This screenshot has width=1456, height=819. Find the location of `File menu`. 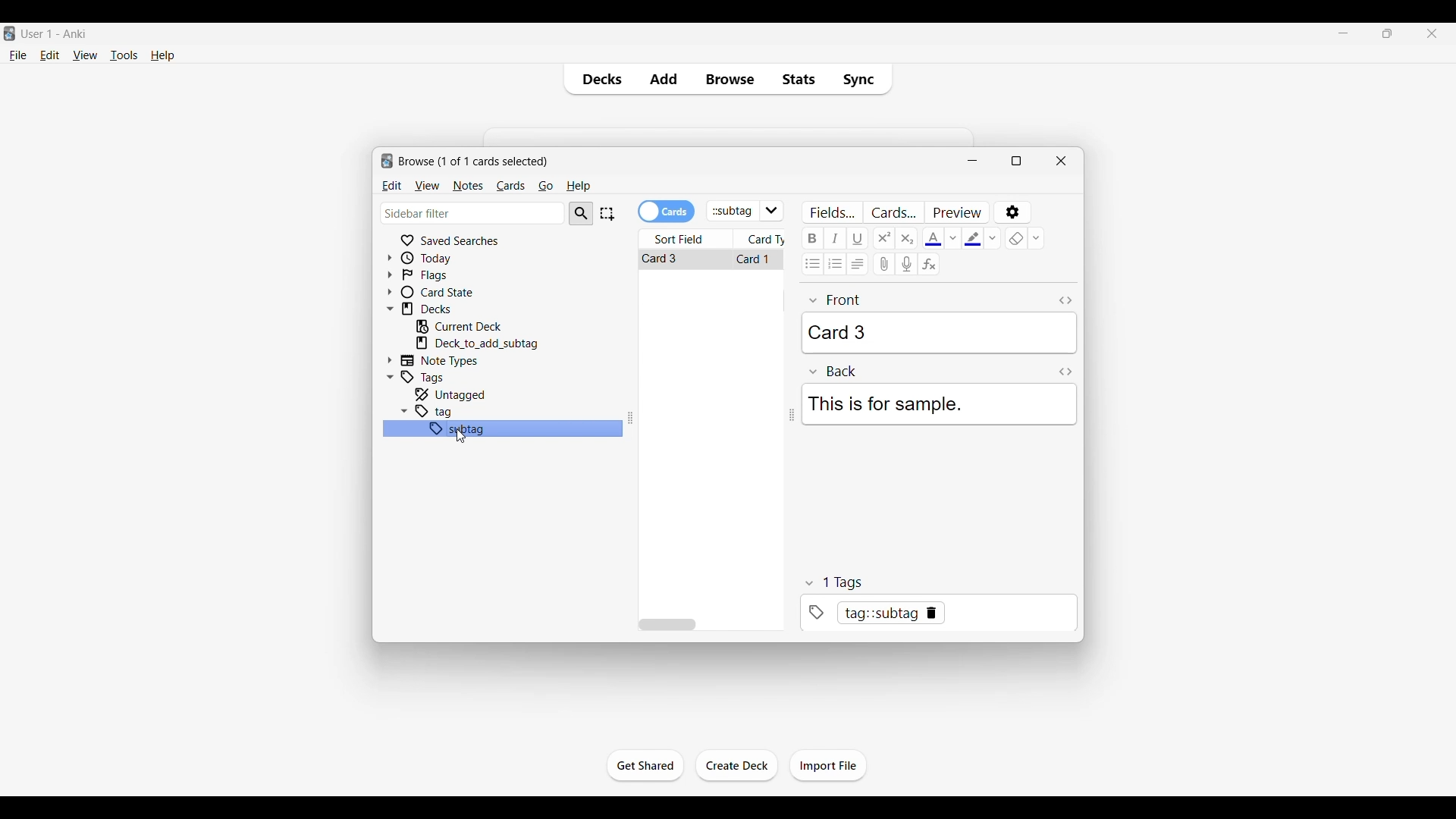

File menu is located at coordinates (18, 55).